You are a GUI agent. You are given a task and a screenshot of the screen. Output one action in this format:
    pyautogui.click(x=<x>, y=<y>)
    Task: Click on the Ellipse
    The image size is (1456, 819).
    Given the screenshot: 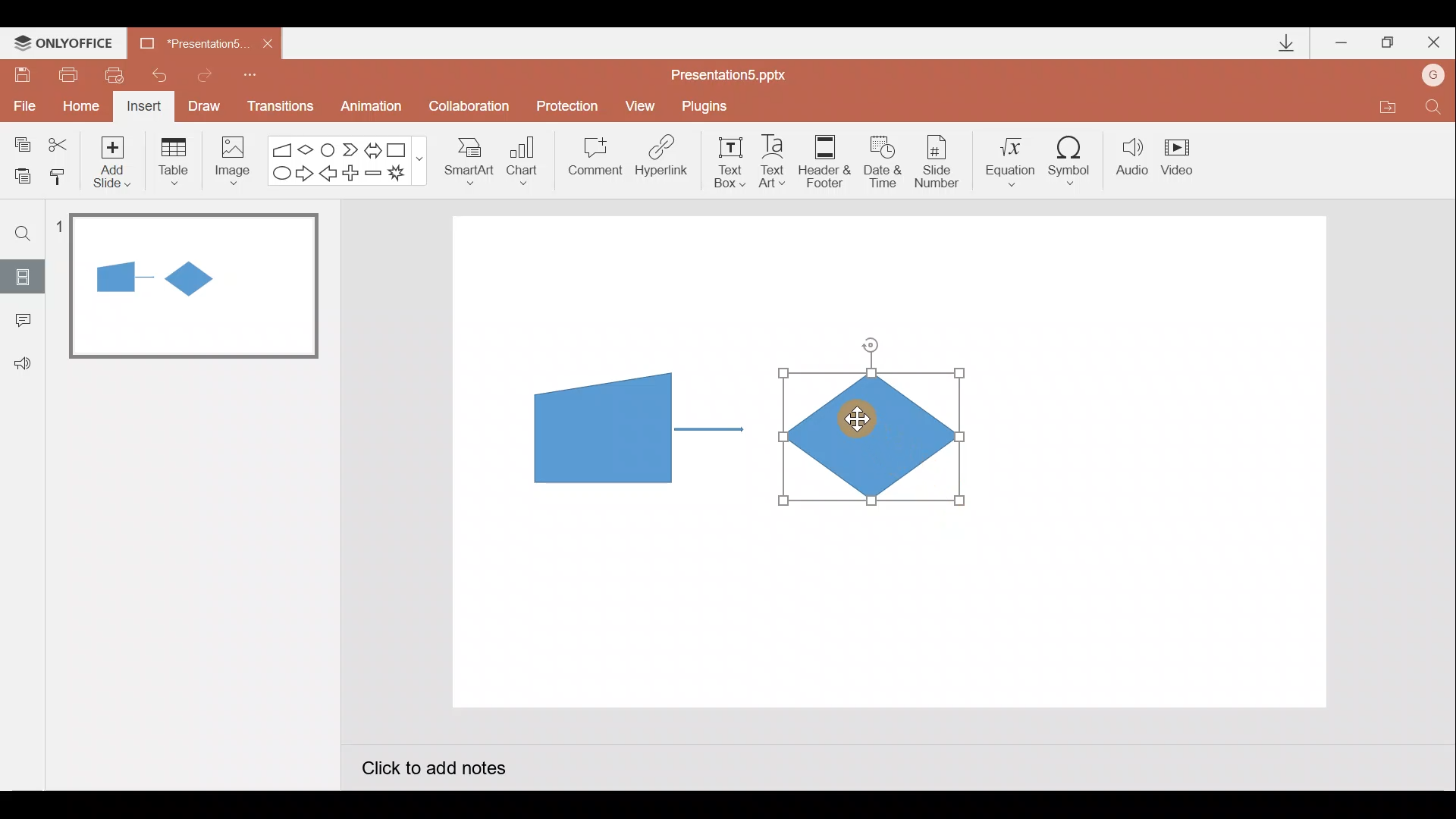 What is the action you would take?
    pyautogui.click(x=278, y=174)
    